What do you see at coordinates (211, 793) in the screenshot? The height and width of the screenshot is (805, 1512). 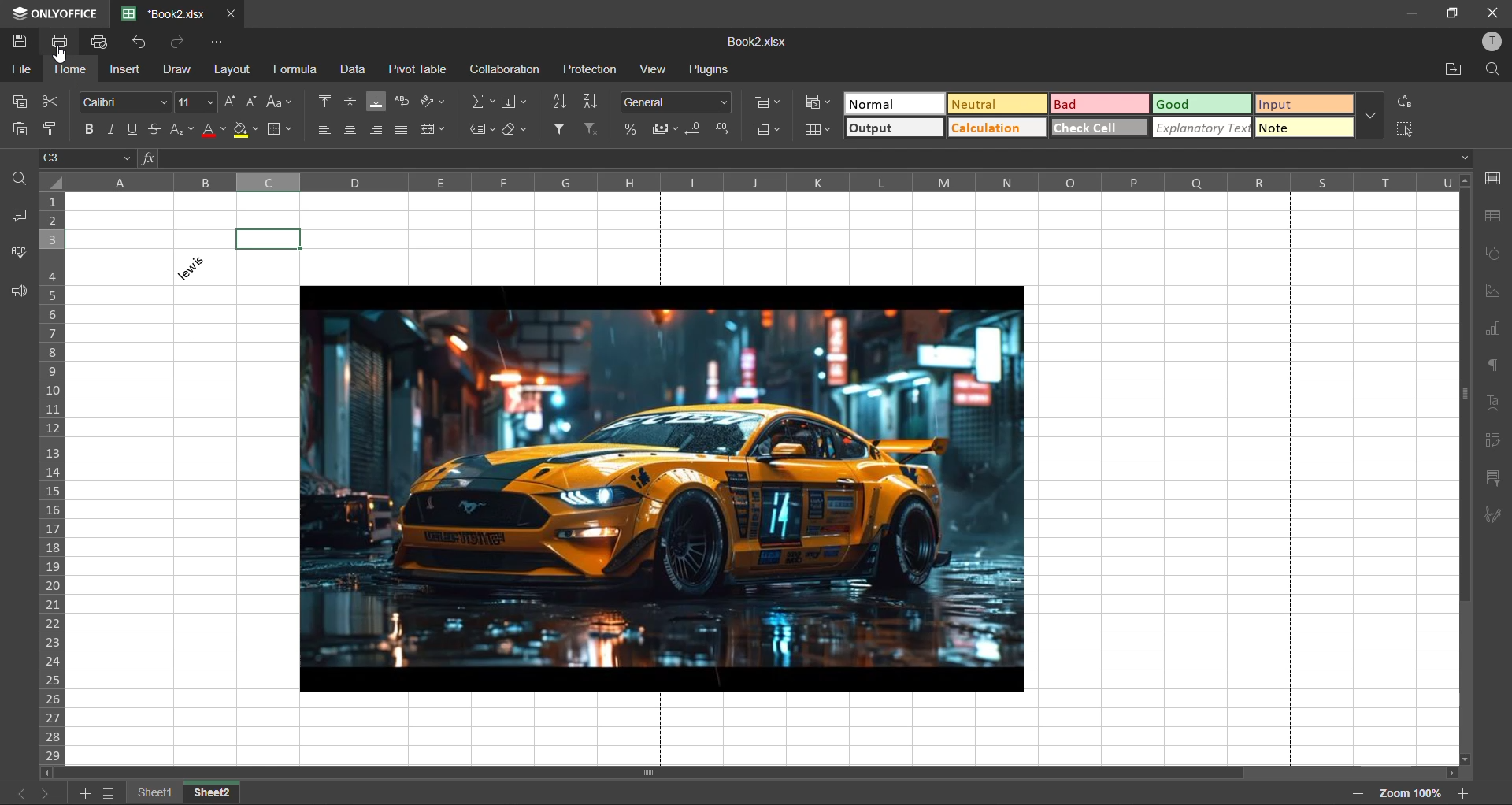 I see `sheet 2` at bounding box center [211, 793].